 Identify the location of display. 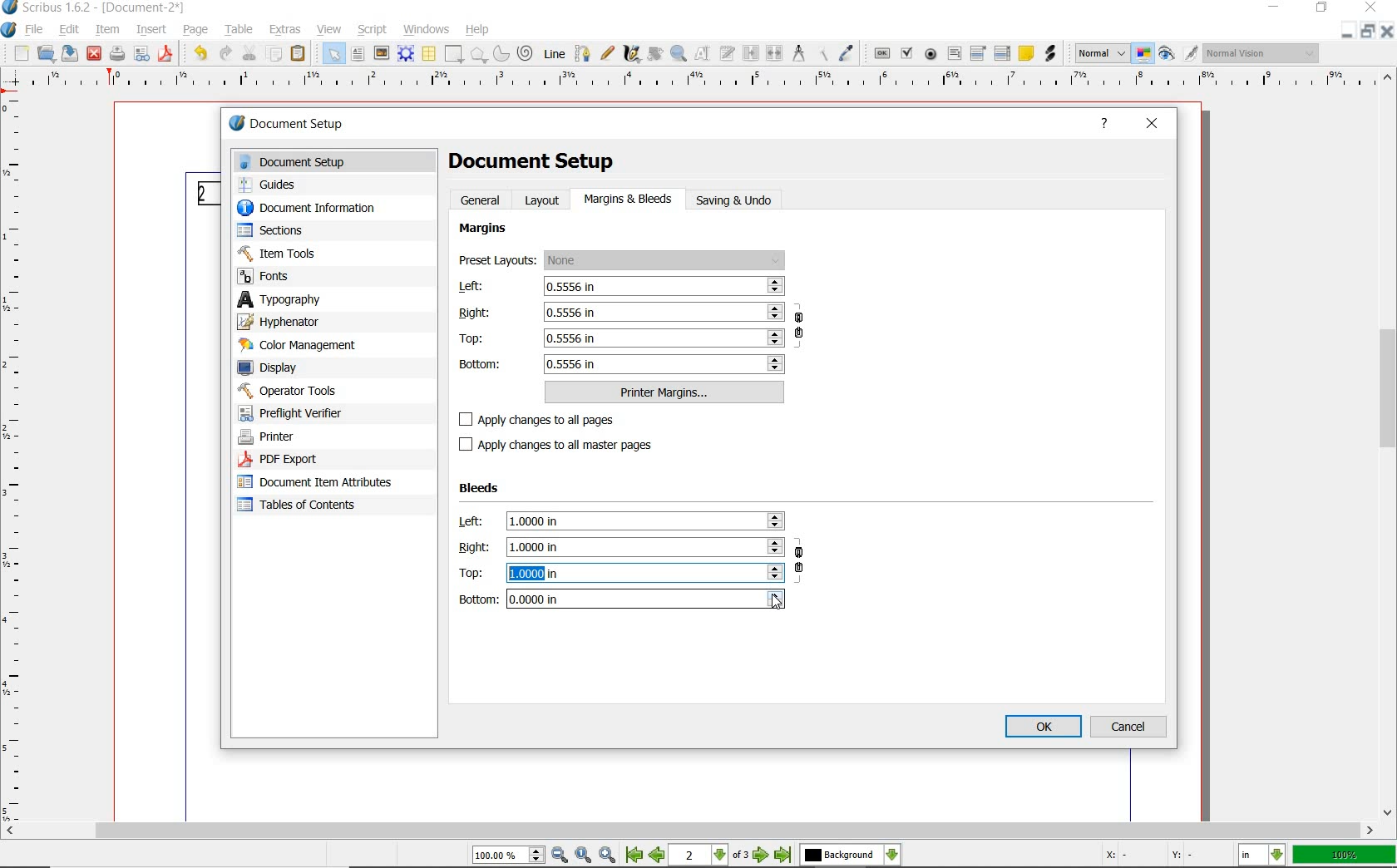
(275, 368).